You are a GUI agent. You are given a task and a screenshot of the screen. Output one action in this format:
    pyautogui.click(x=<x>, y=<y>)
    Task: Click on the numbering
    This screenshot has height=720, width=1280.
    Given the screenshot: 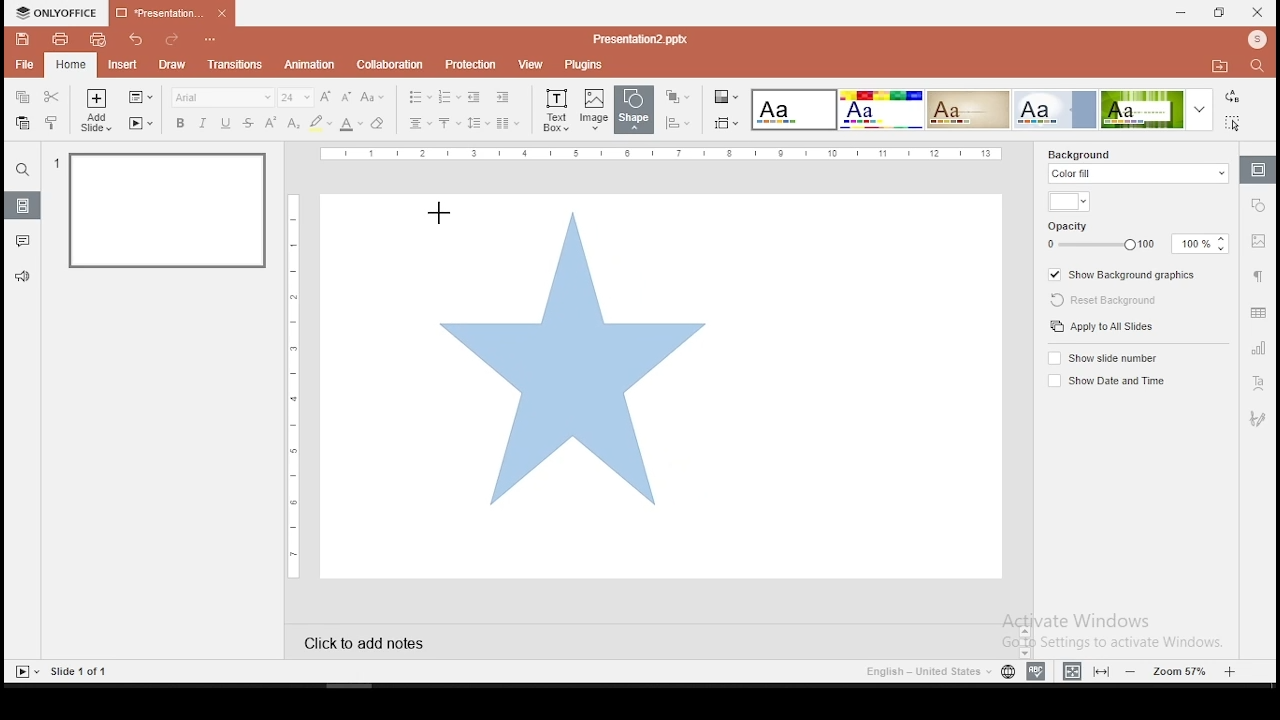 What is the action you would take?
    pyautogui.click(x=450, y=96)
    